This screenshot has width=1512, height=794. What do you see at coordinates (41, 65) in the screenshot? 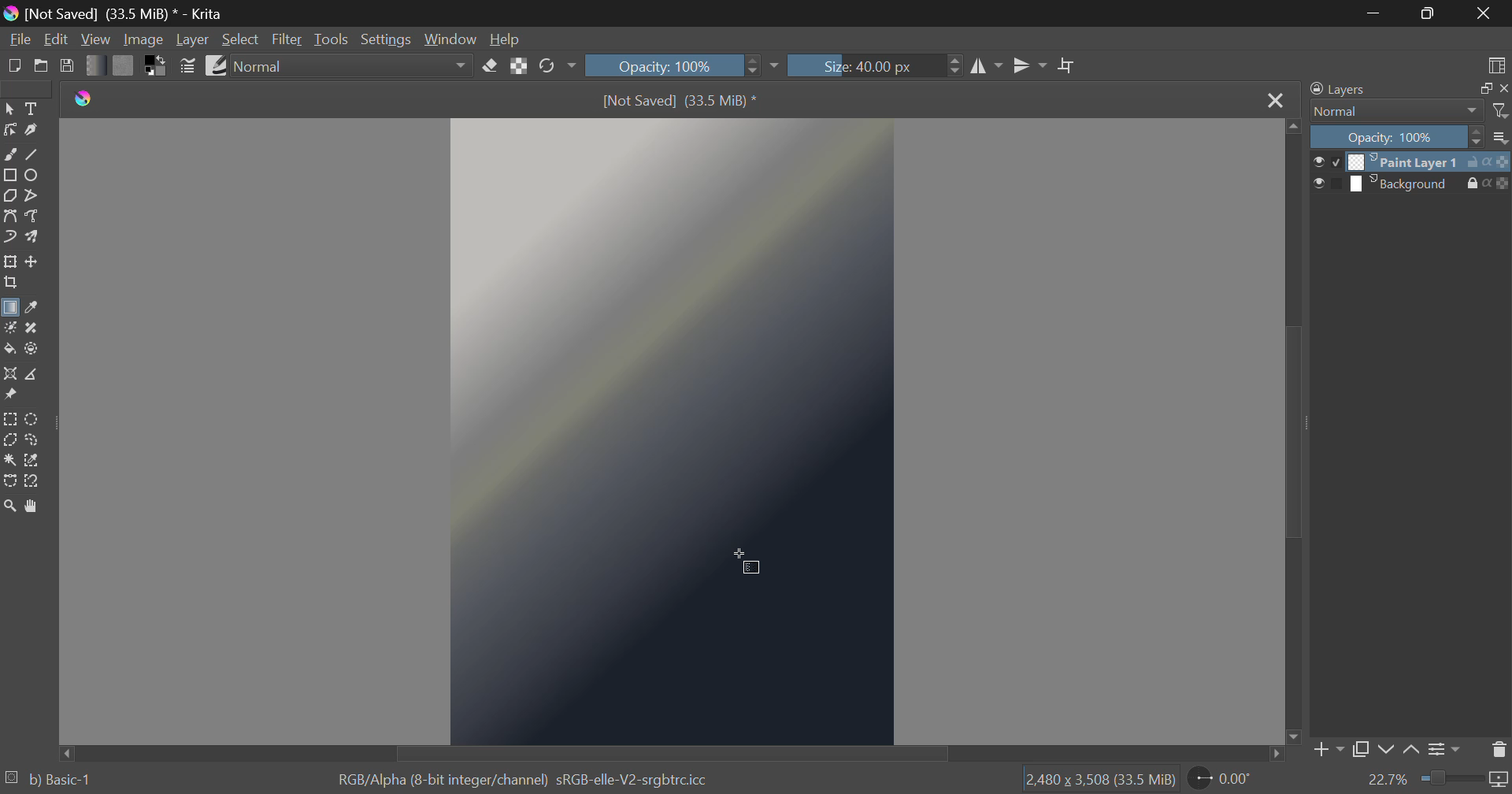
I see `Open` at bounding box center [41, 65].